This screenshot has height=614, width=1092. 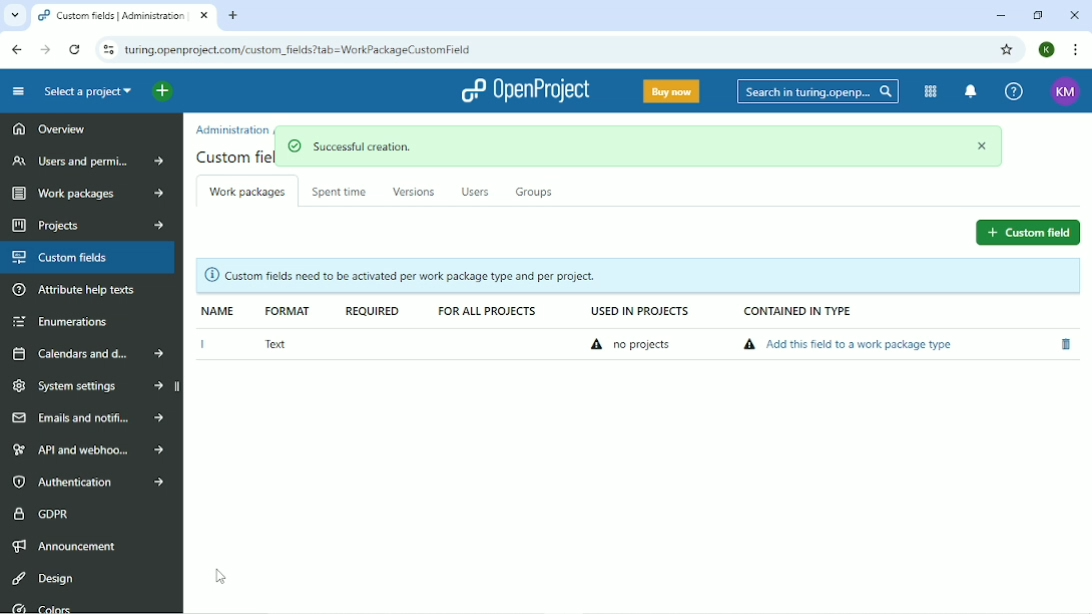 What do you see at coordinates (536, 190) in the screenshot?
I see `Groups` at bounding box center [536, 190].